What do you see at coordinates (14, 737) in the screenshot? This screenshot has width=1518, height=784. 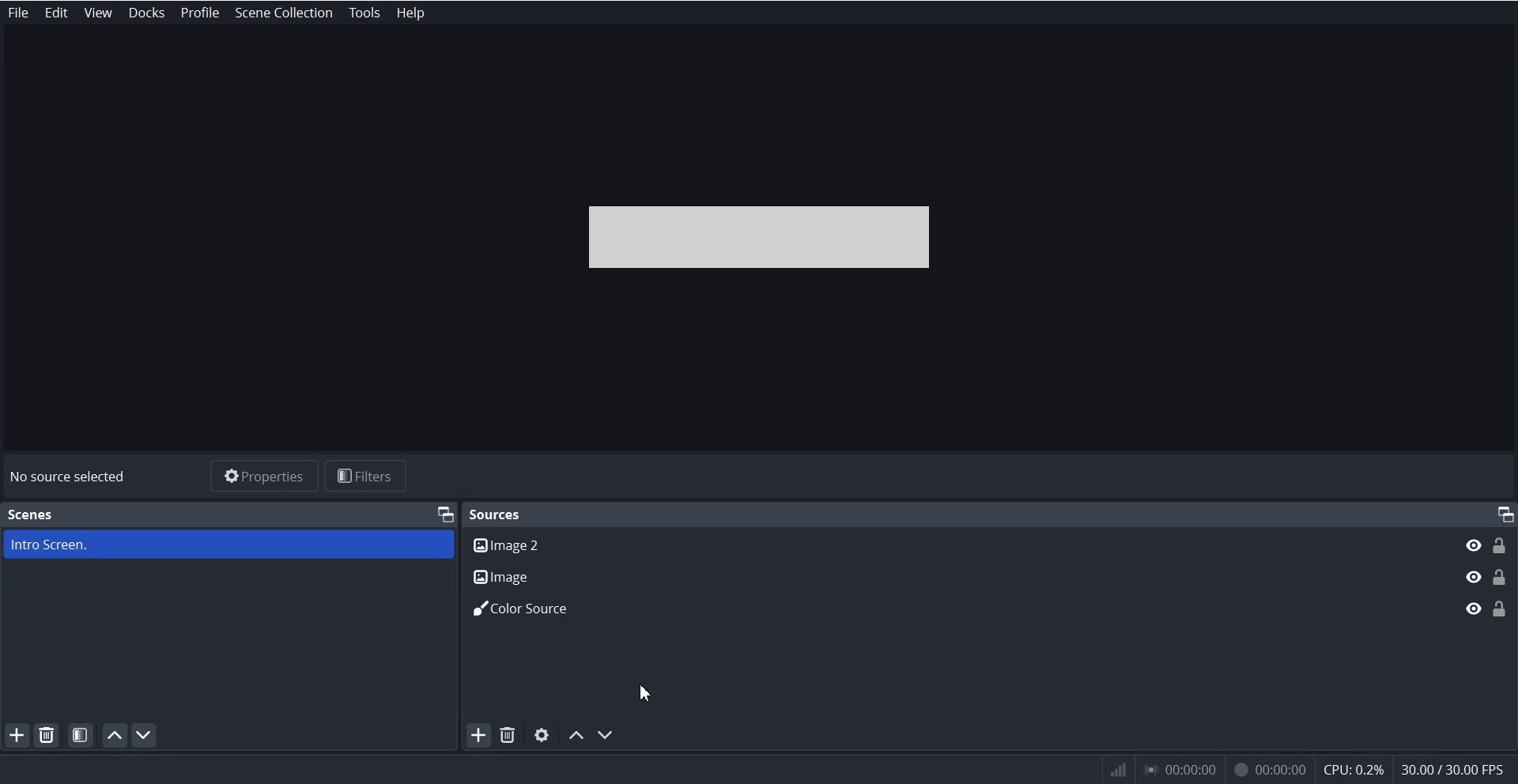 I see `Add Scene` at bounding box center [14, 737].